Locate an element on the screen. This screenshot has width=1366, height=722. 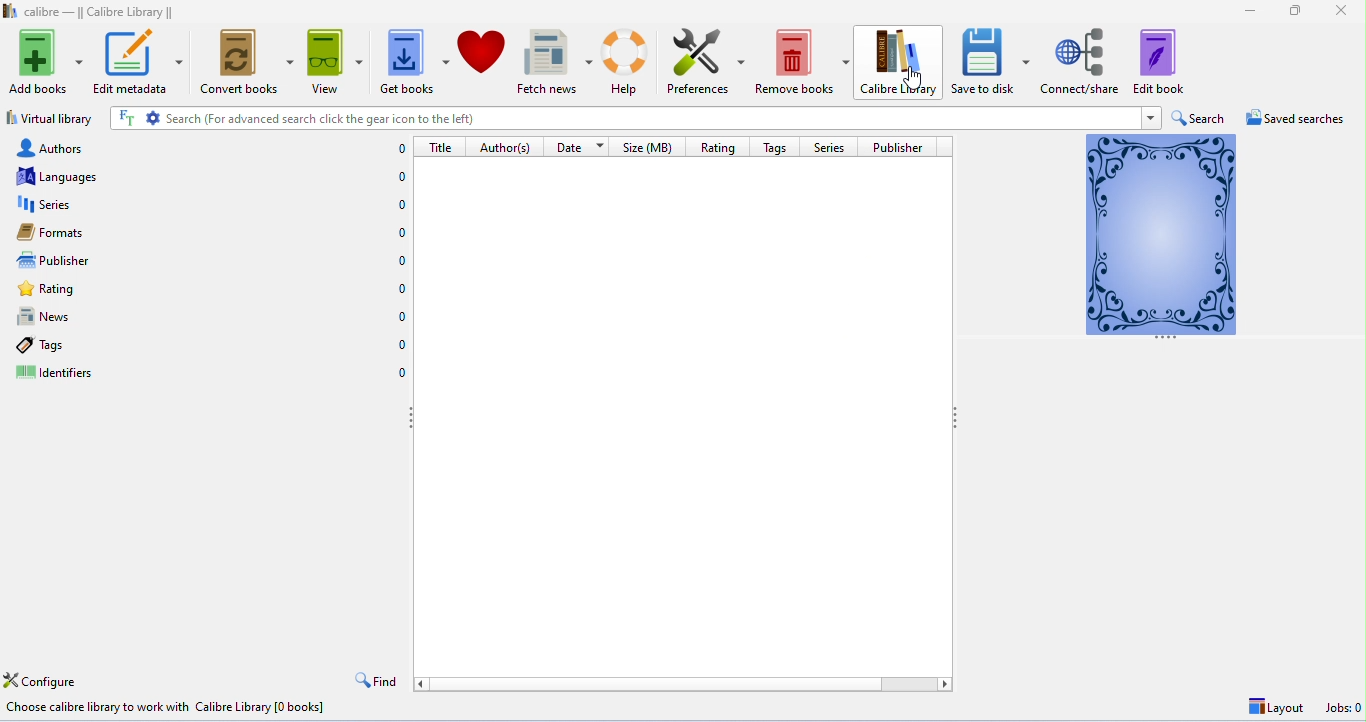
cursor is located at coordinates (914, 79).